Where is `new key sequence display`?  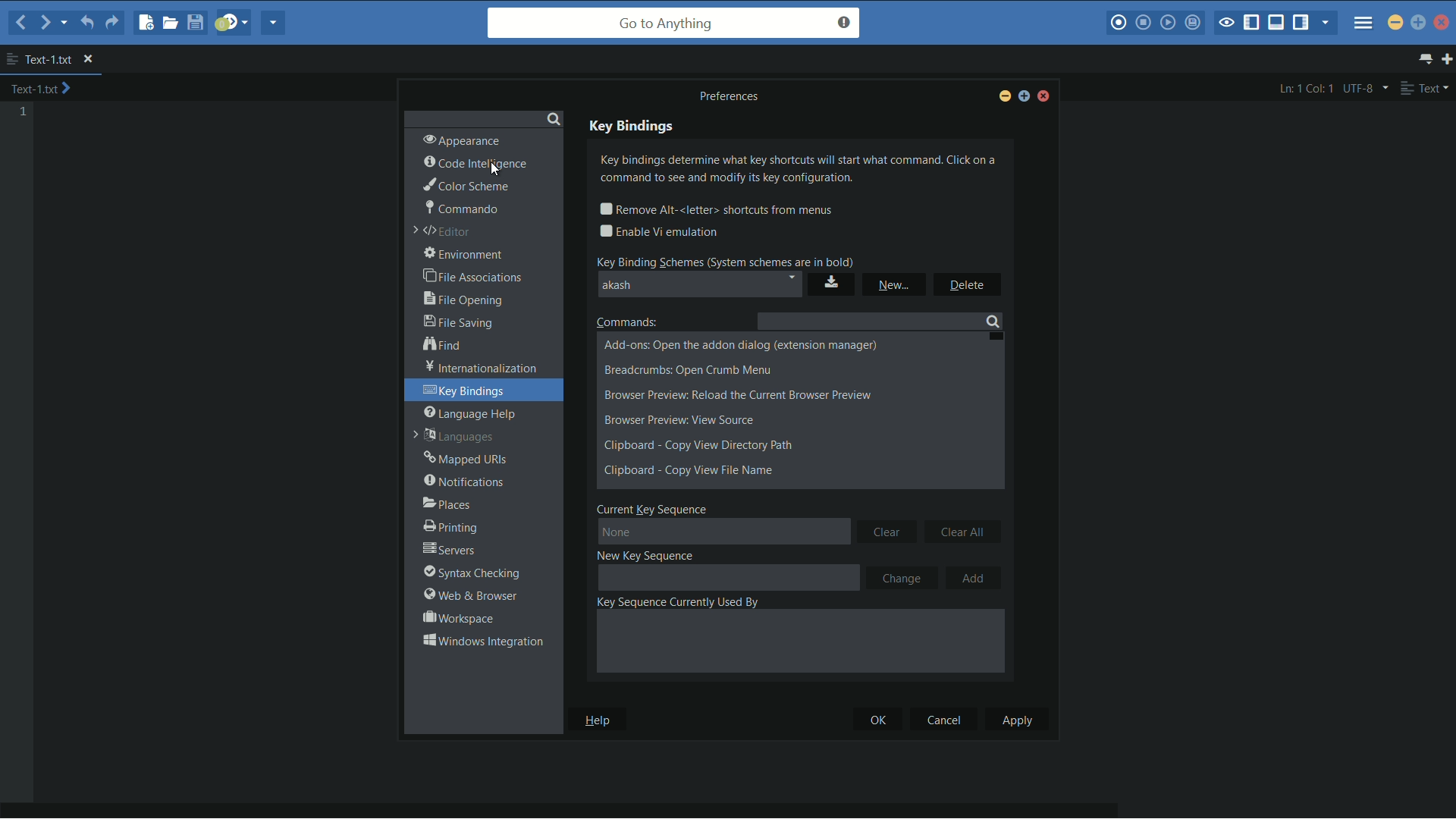
new key sequence display is located at coordinates (727, 577).